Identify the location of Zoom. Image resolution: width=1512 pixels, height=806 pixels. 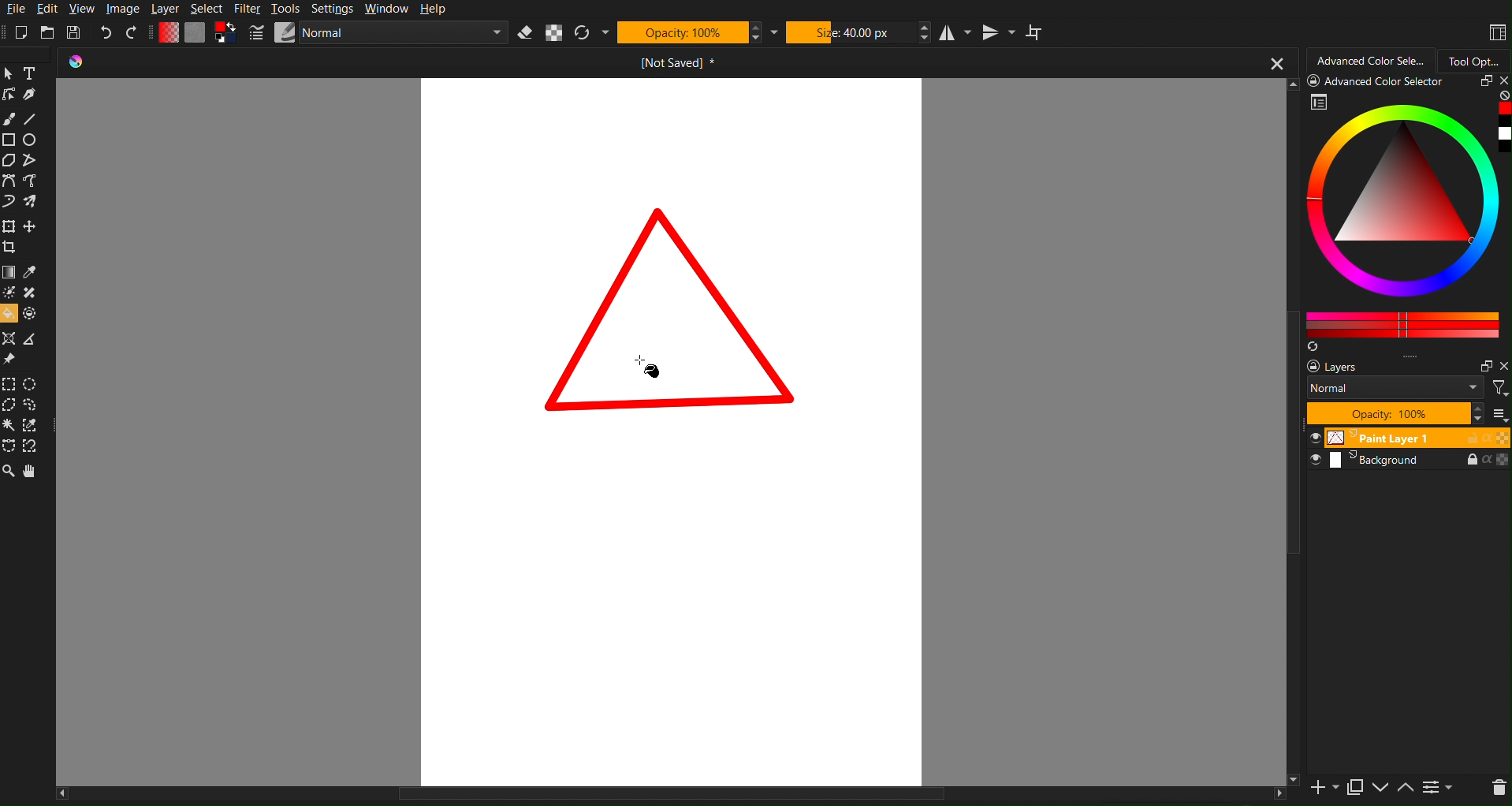
(9, 472).